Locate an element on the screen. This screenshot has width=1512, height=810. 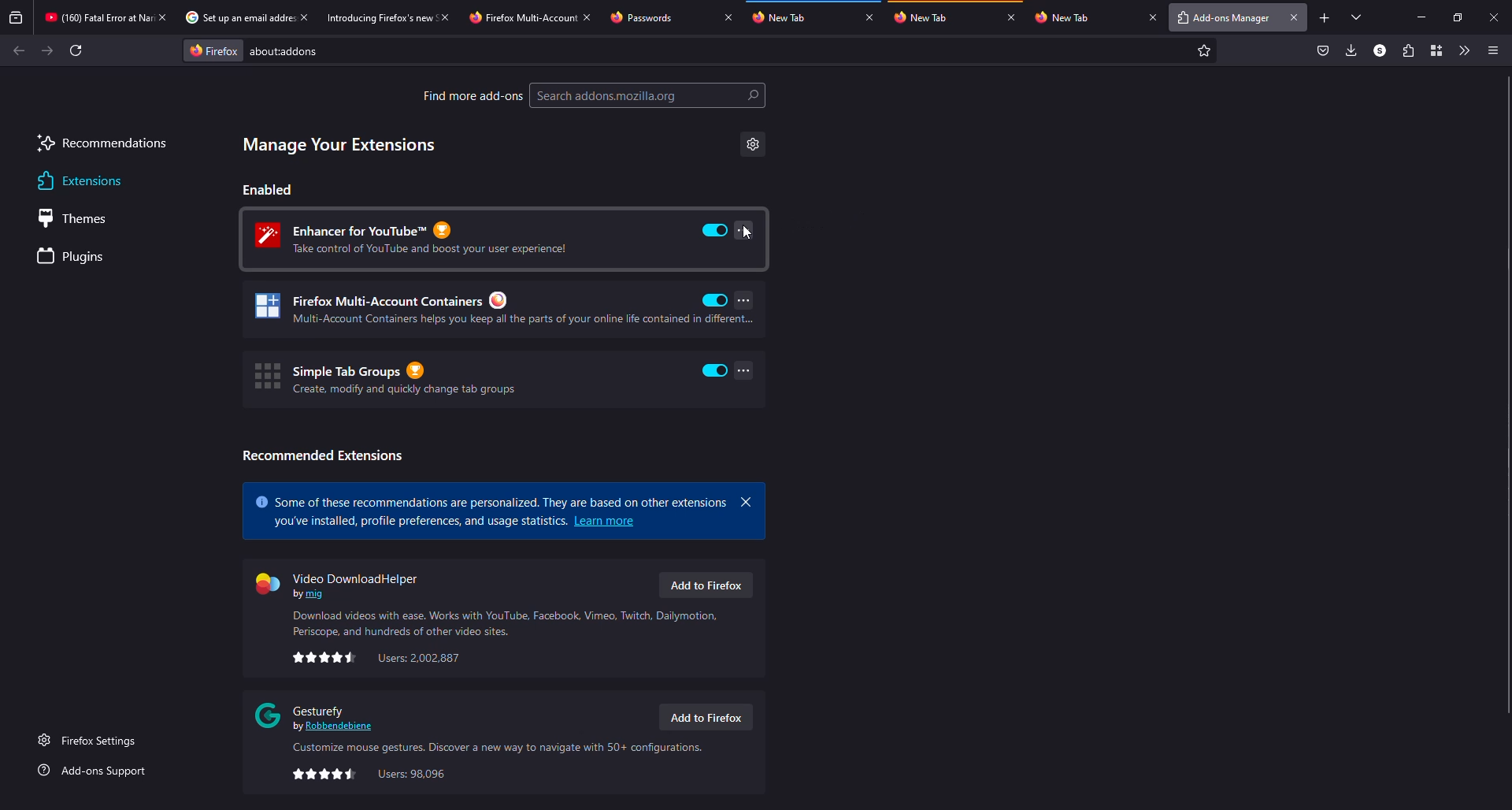
tab is located at coordinates (658, 17).